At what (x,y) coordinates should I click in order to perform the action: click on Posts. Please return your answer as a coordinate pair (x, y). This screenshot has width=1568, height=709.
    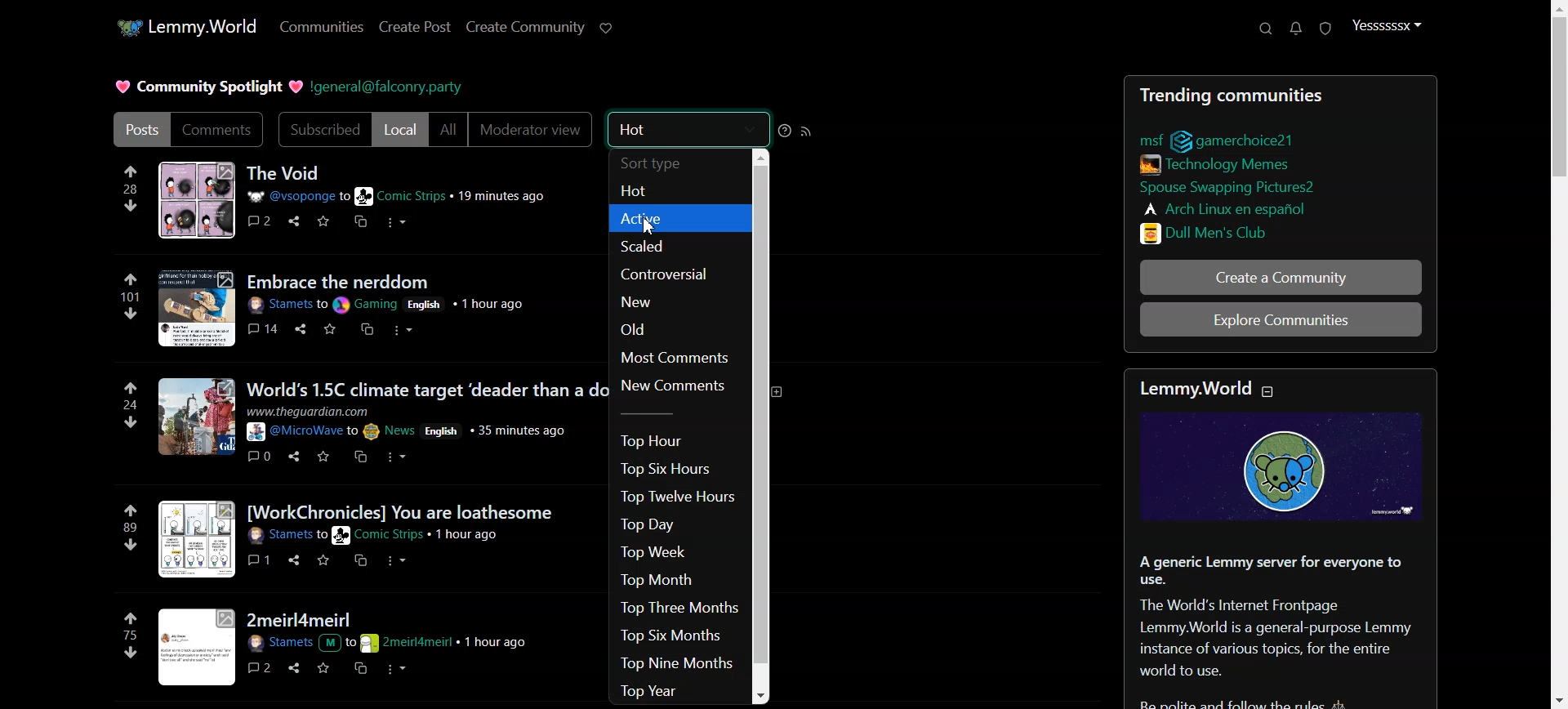
    Looking at the image, I should click on (139, 129).